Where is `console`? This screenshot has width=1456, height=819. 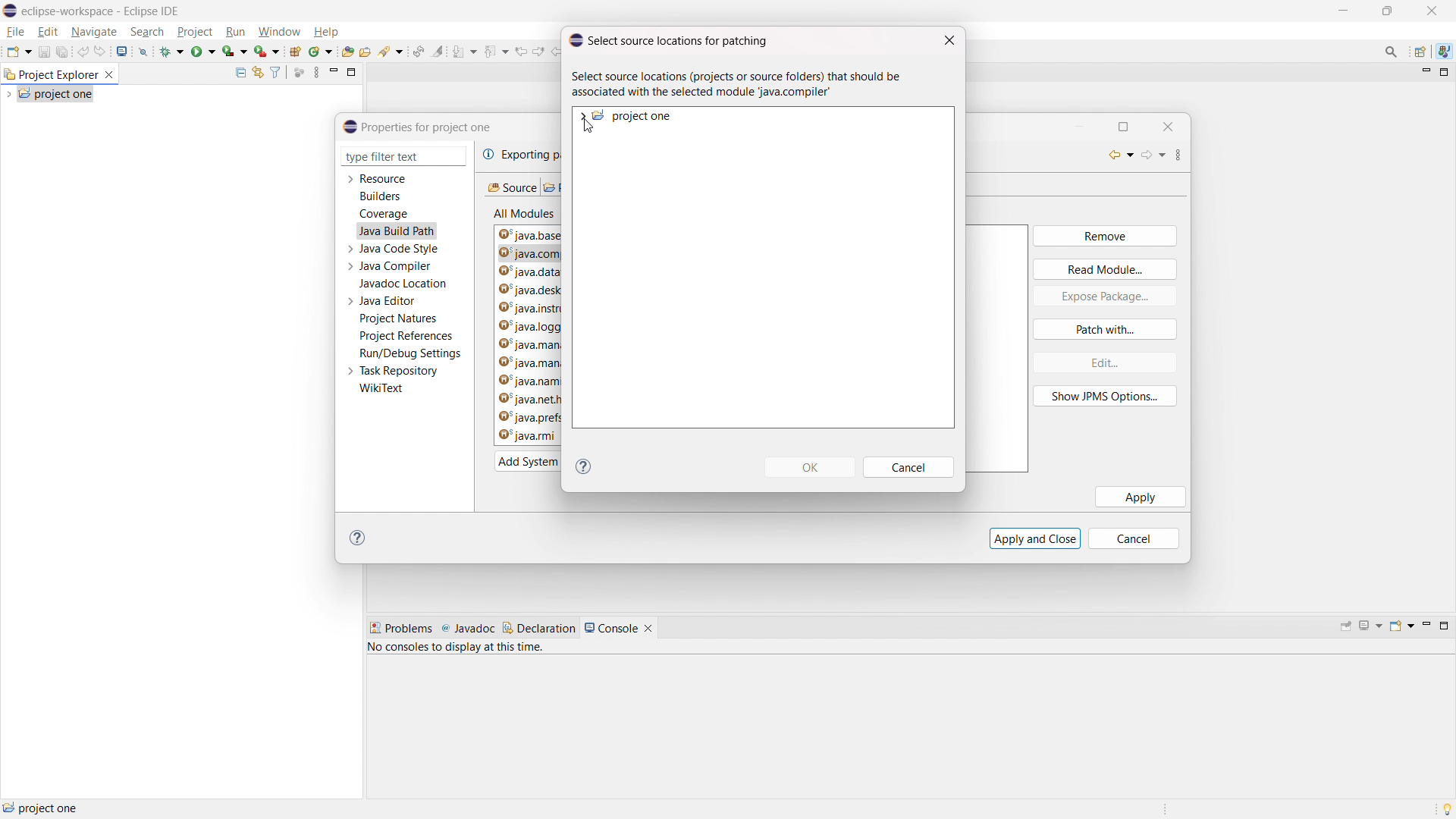 console is located at coordinates (611, 628).